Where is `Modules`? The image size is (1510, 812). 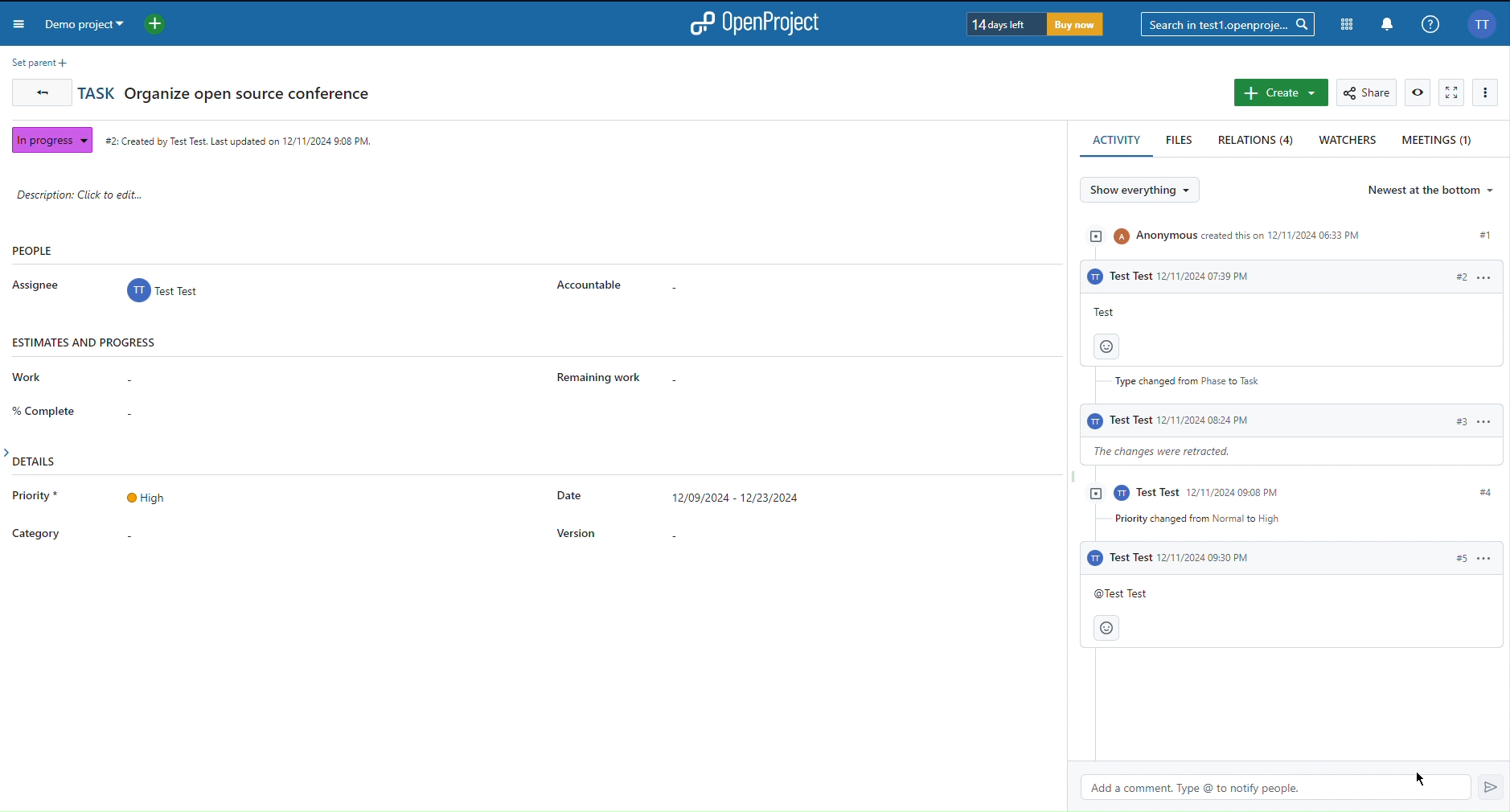
Modules is located at coordinates (1344, 22).